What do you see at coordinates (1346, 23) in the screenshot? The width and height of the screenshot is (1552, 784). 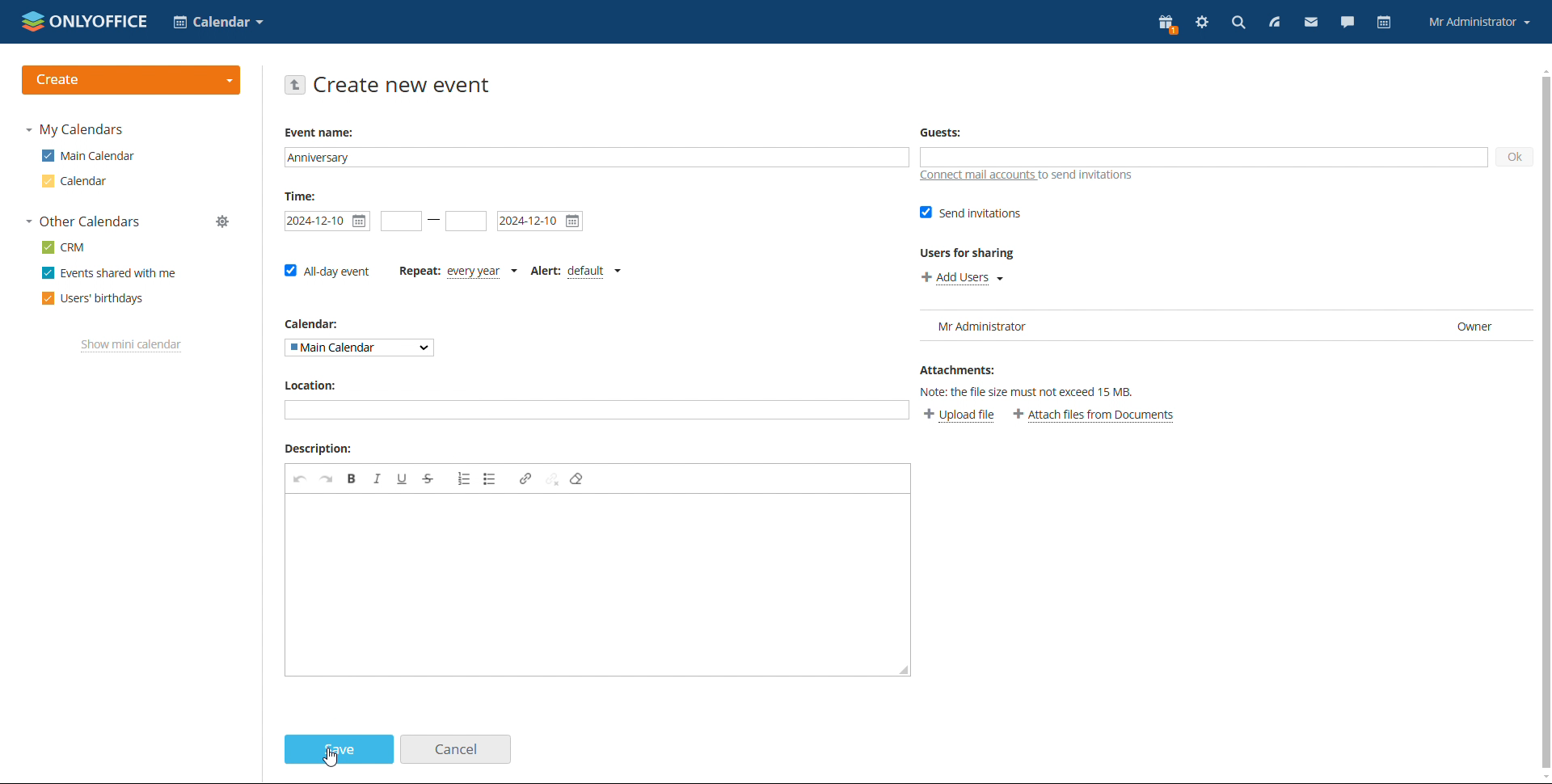 I see `talk` at bounding box center [1346, 23].